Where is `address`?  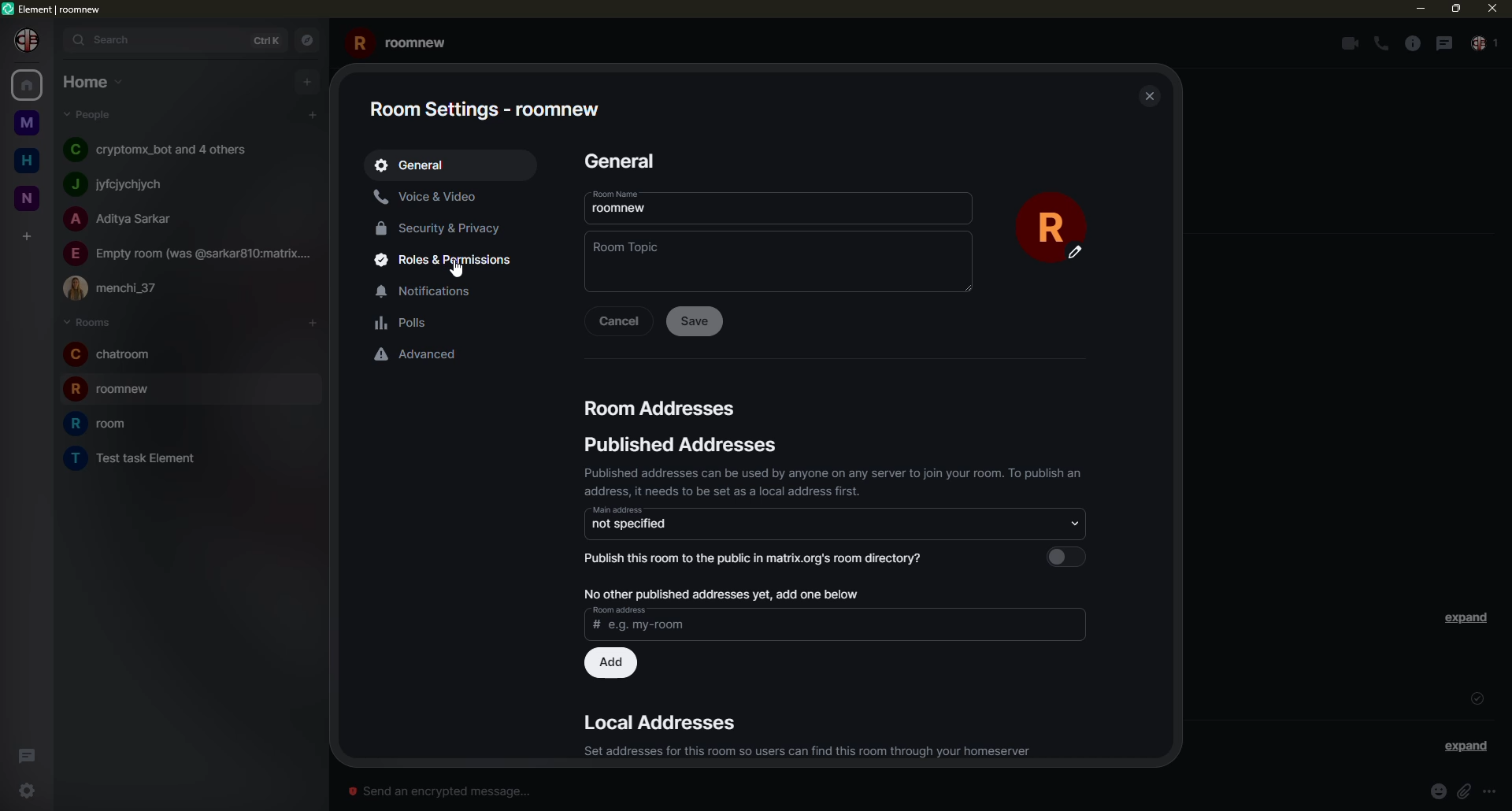 address is located at coordinates (667, 409).